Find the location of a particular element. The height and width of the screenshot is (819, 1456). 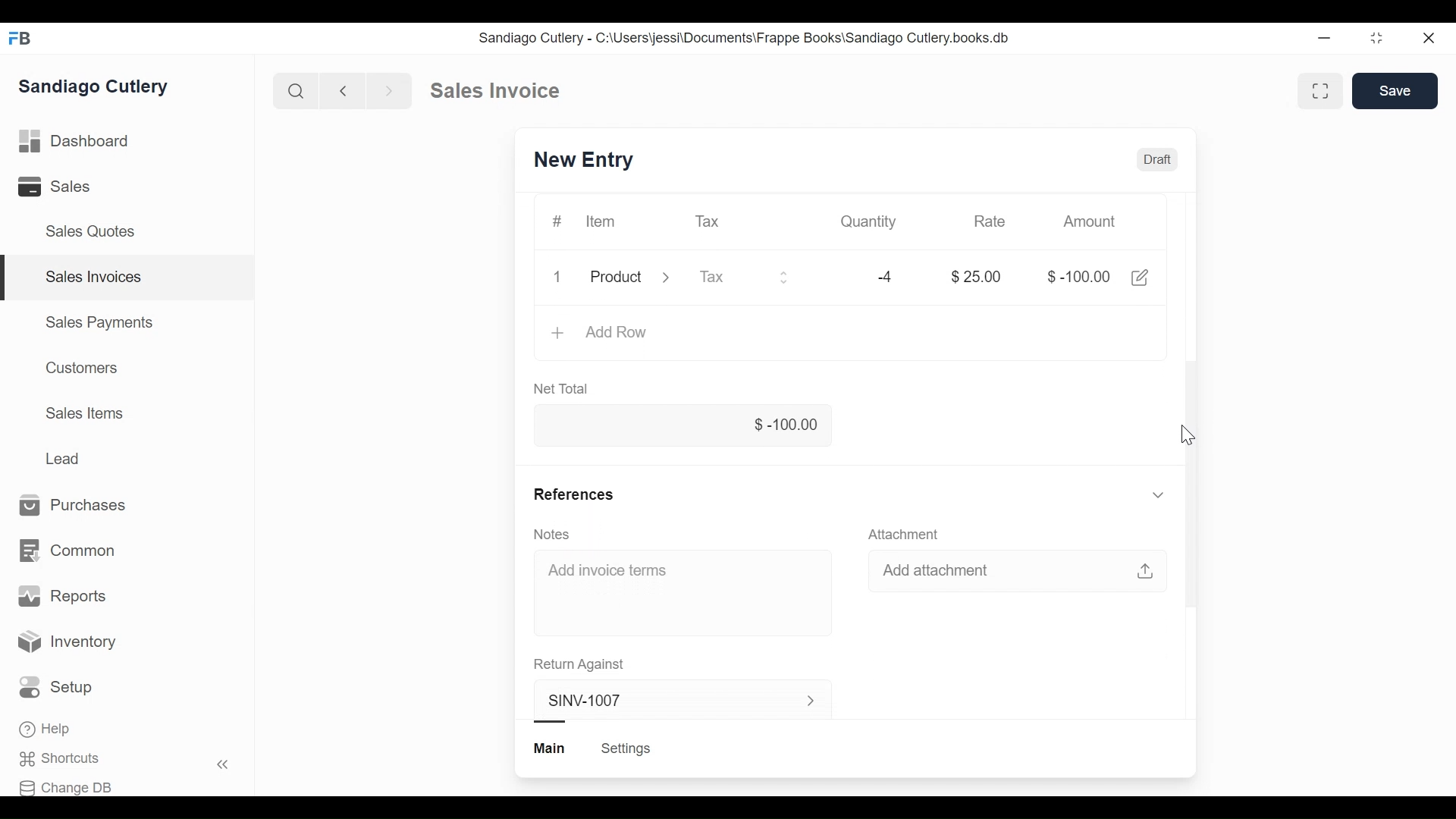

Sales invoice is located at coordinates (494, 91).